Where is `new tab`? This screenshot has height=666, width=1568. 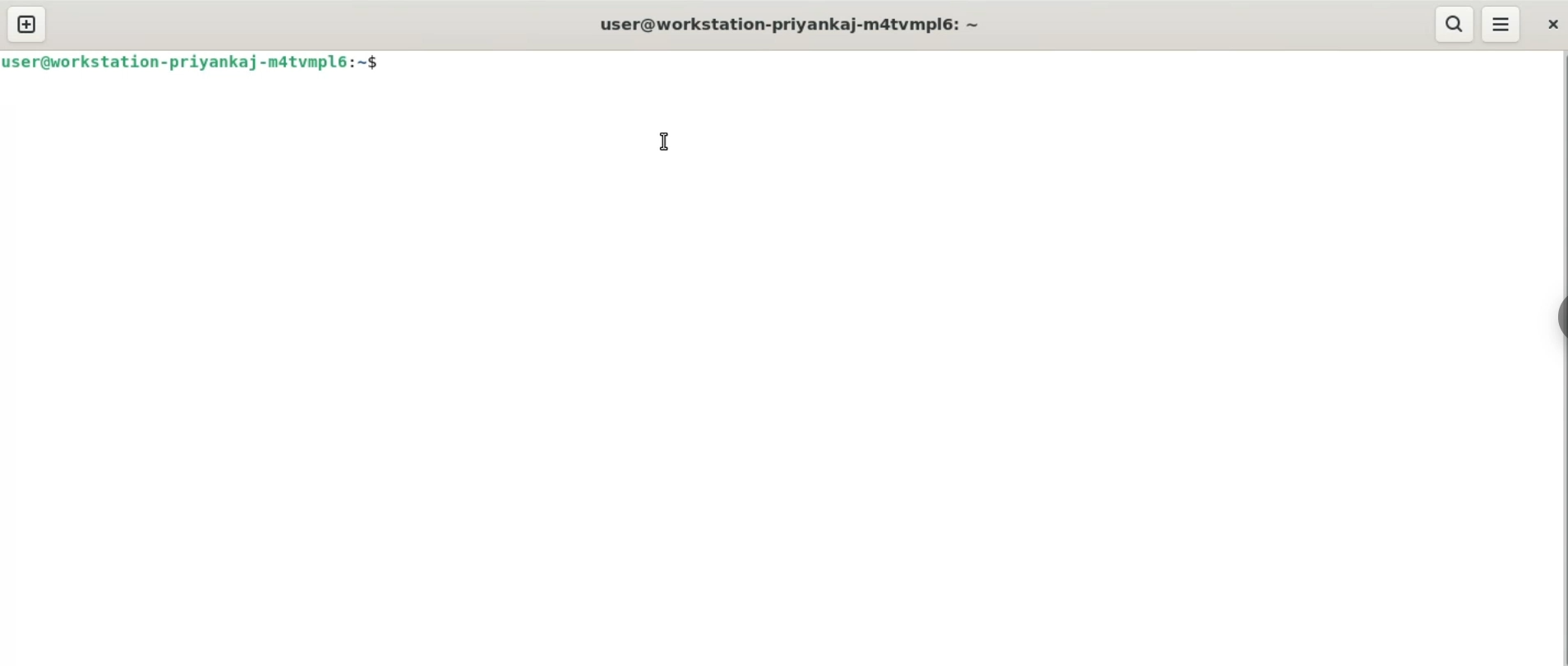
new tab is located at coordinates (28, 23).